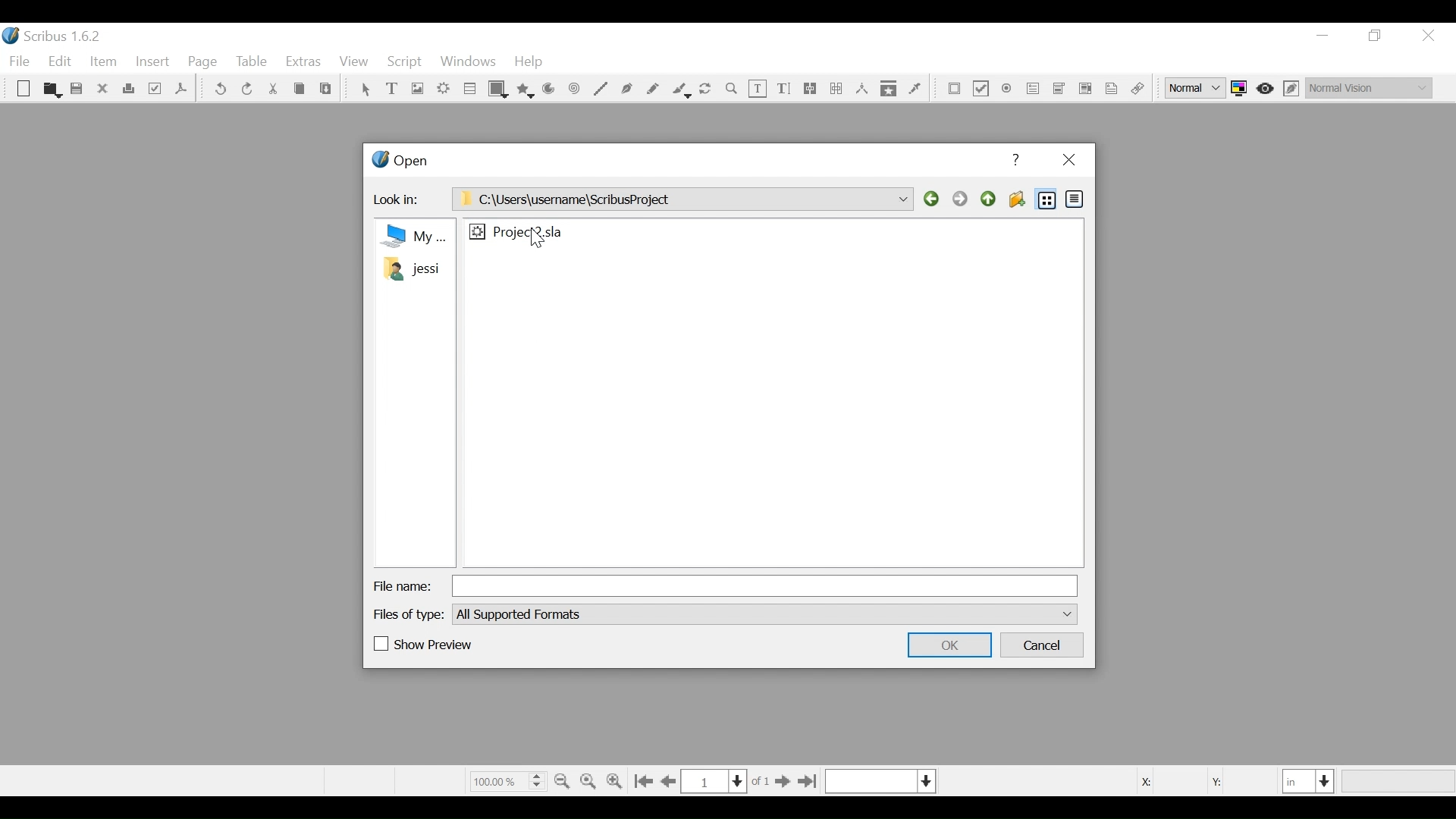 The image size is (1456, 819). What do you see at coordinates (680, 90) in the screenshot?
I see `Calligraphic line` at bounding box center [680, 90].